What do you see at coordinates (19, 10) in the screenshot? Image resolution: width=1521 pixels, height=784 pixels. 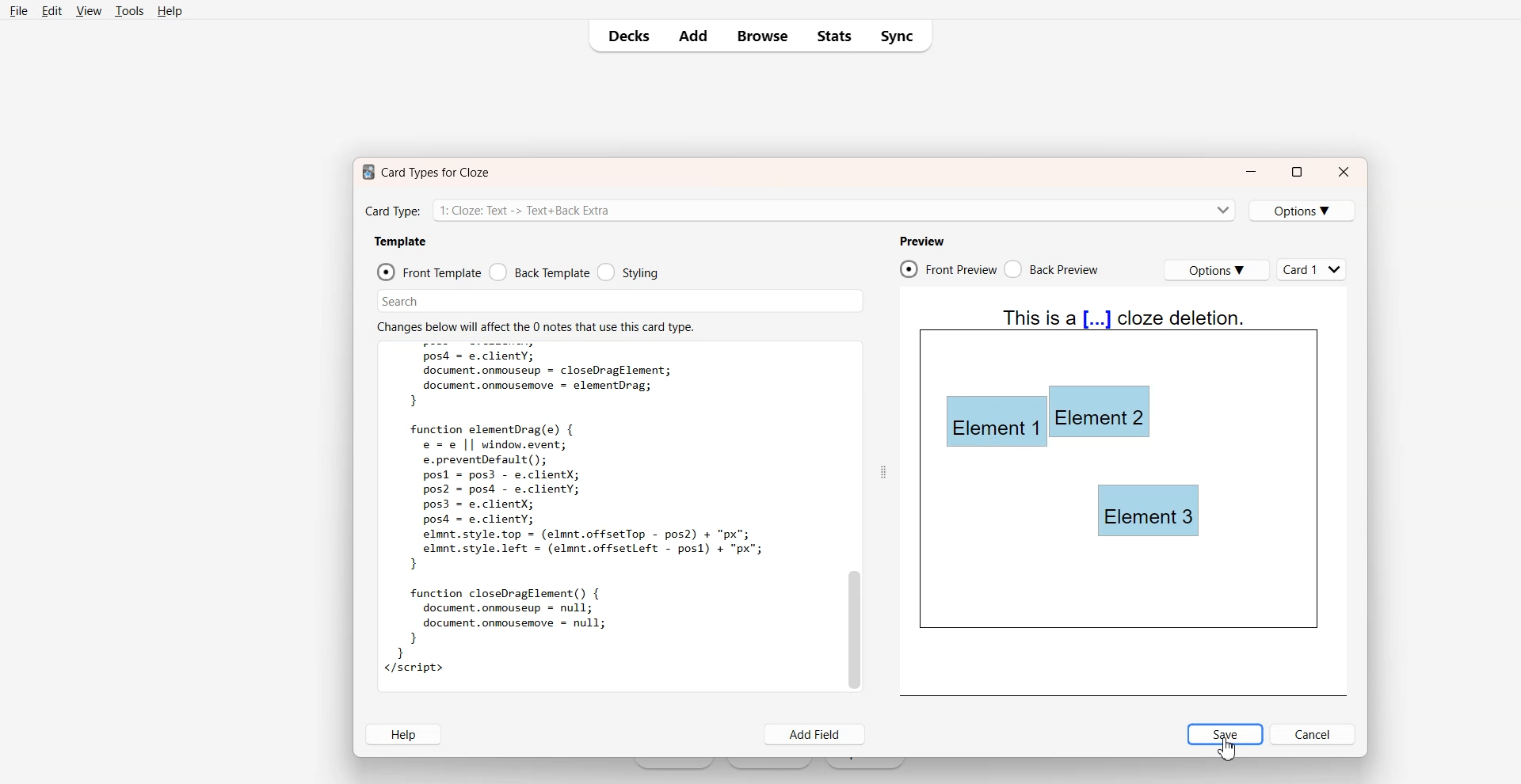 I see `File` at bounding box center [19, 10].